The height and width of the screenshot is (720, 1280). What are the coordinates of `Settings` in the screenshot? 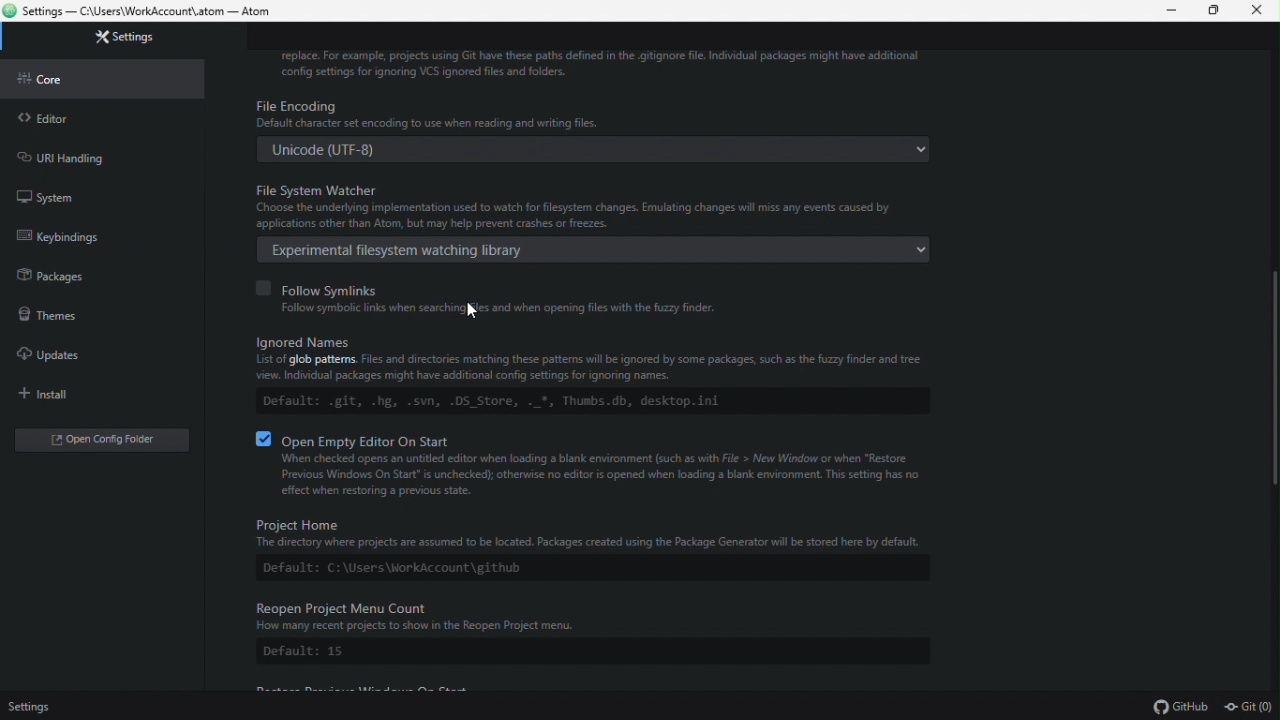 It's located at (34, 706).